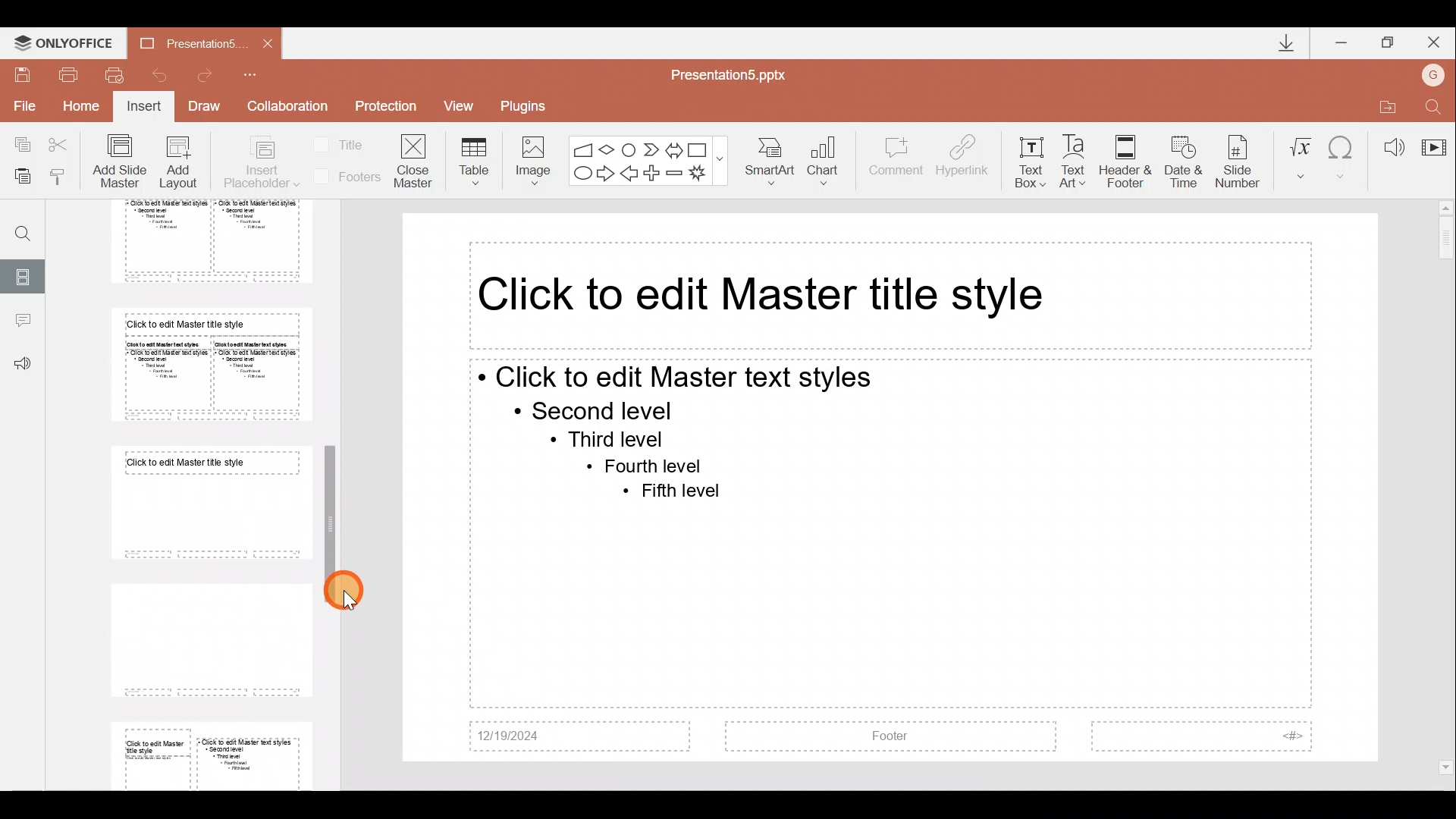 Image resolution: width=1456 pixels, height=819 pixels. Describe the element at coordinates (69, 74) in the screenshot. I see `Print file` at that location.